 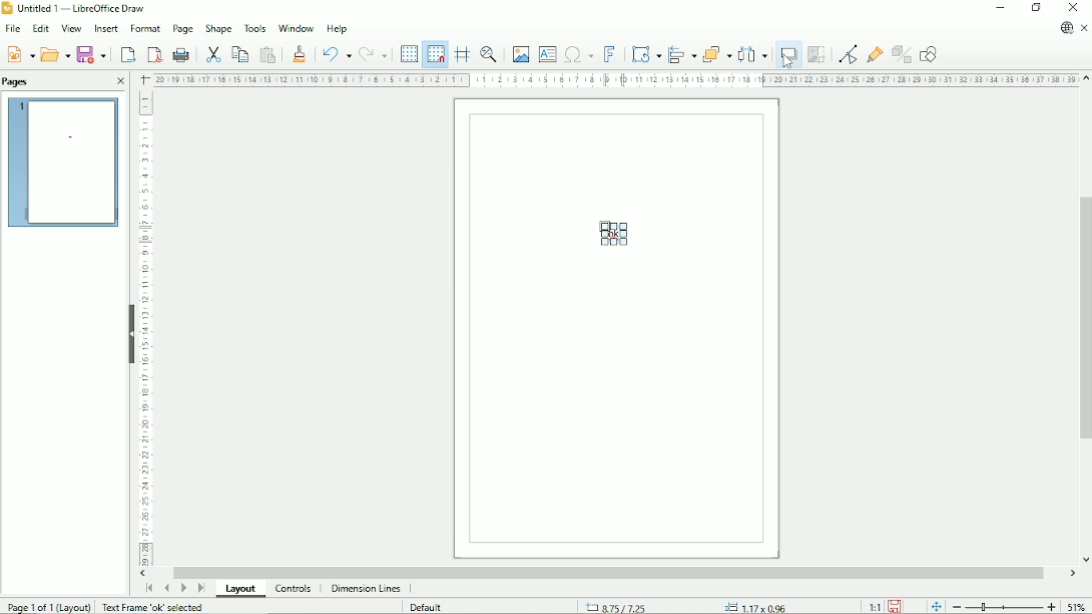 What do you see at coordinates (269, 54) in the screenshot?
I see `Paste` at bounding box center [269, 54].